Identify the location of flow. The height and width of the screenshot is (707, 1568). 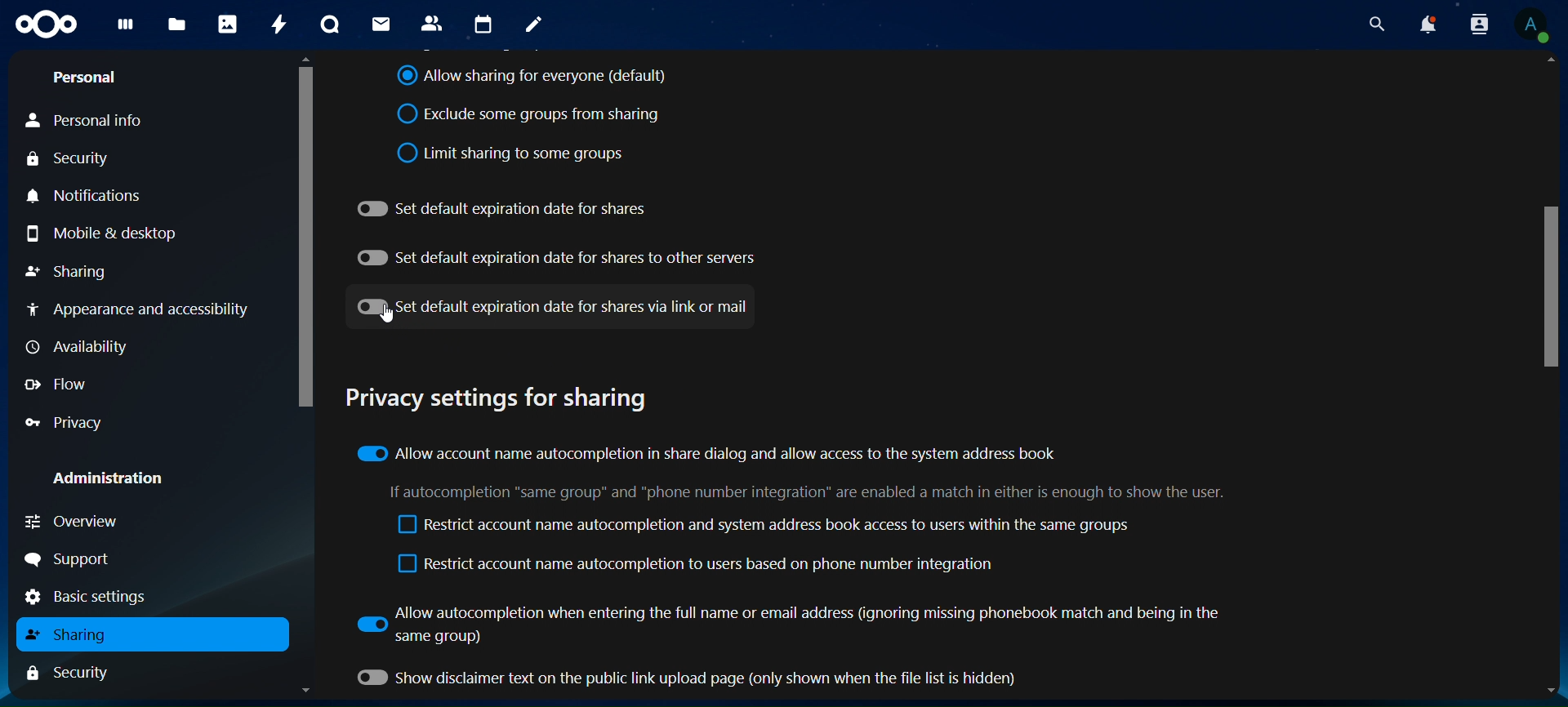
(56, 384).